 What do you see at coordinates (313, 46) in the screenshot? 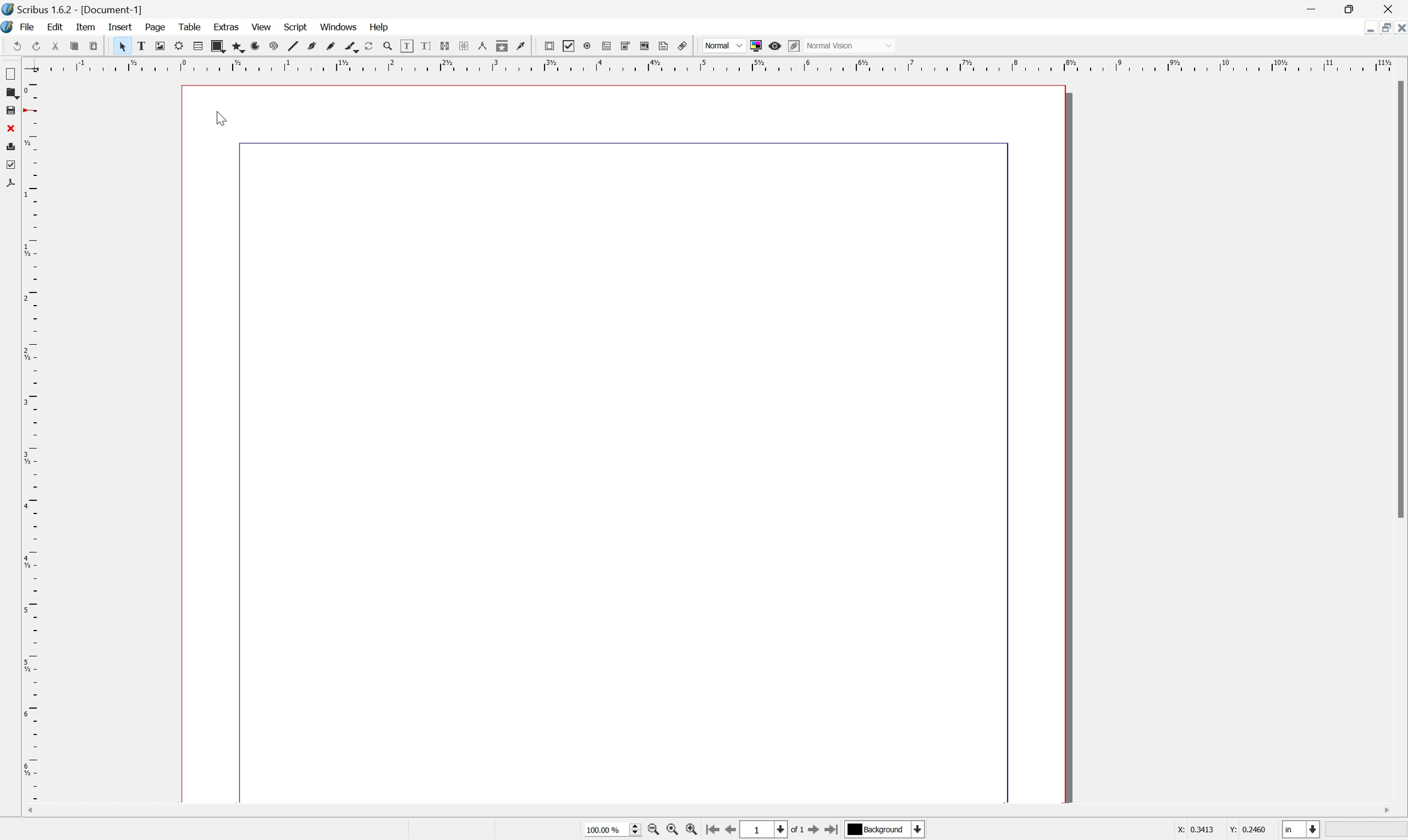
I see `render frame` at bounding box center [313, 46].